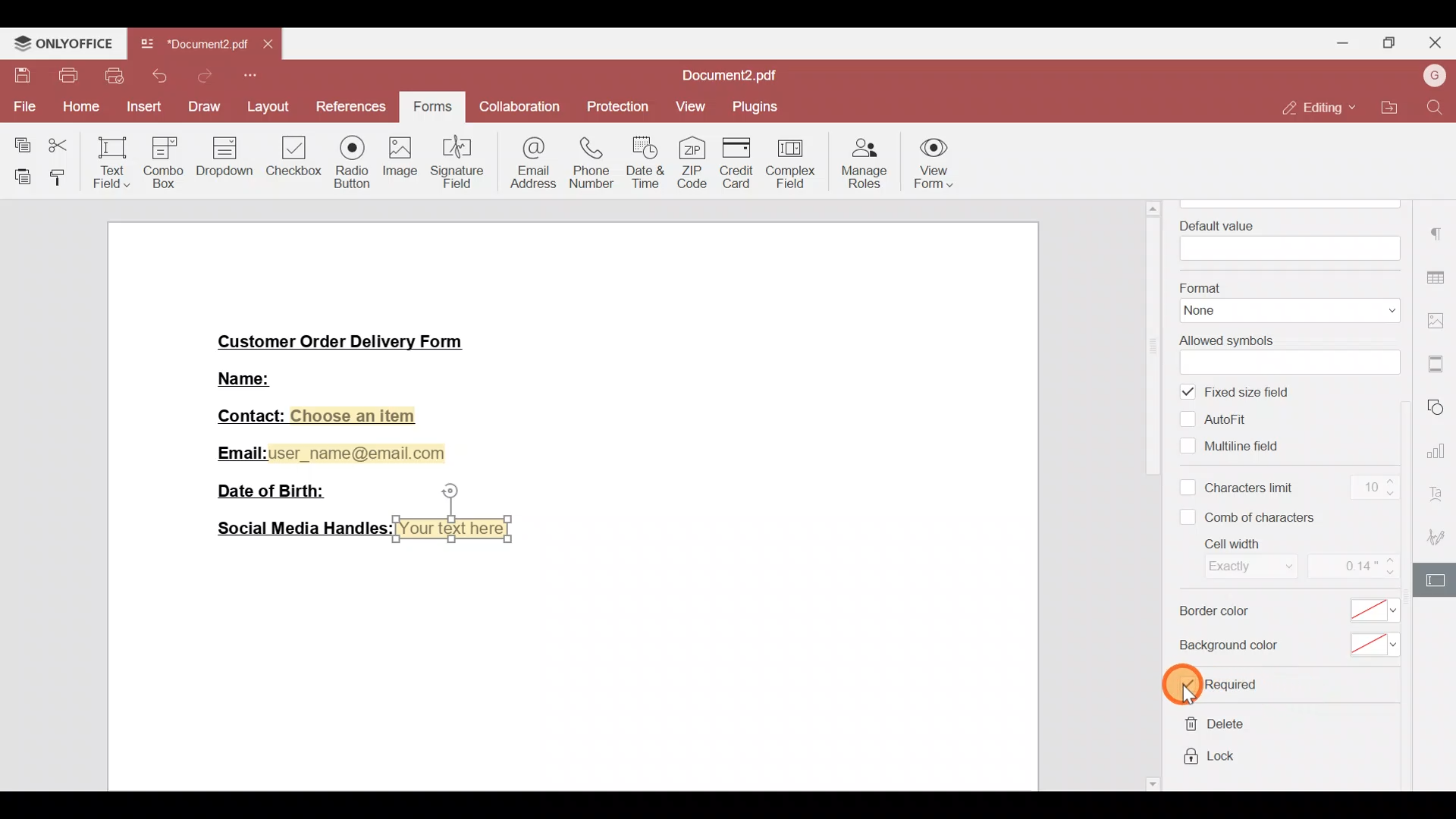  Describe the element at coordinates (1438, 43) in the screenshot. I see `Close` at that location.